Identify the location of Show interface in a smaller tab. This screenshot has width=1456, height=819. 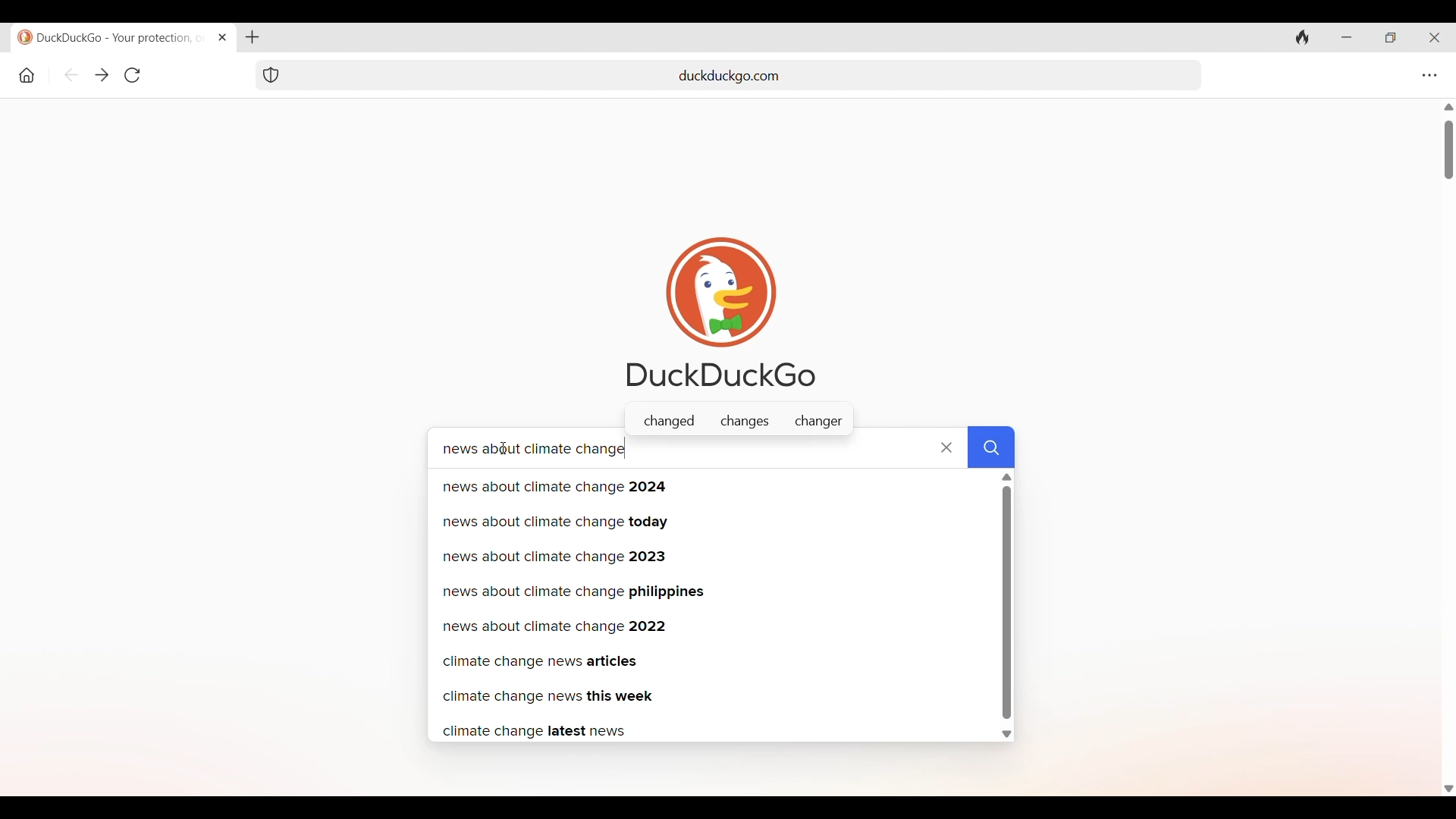
(1391, 38).